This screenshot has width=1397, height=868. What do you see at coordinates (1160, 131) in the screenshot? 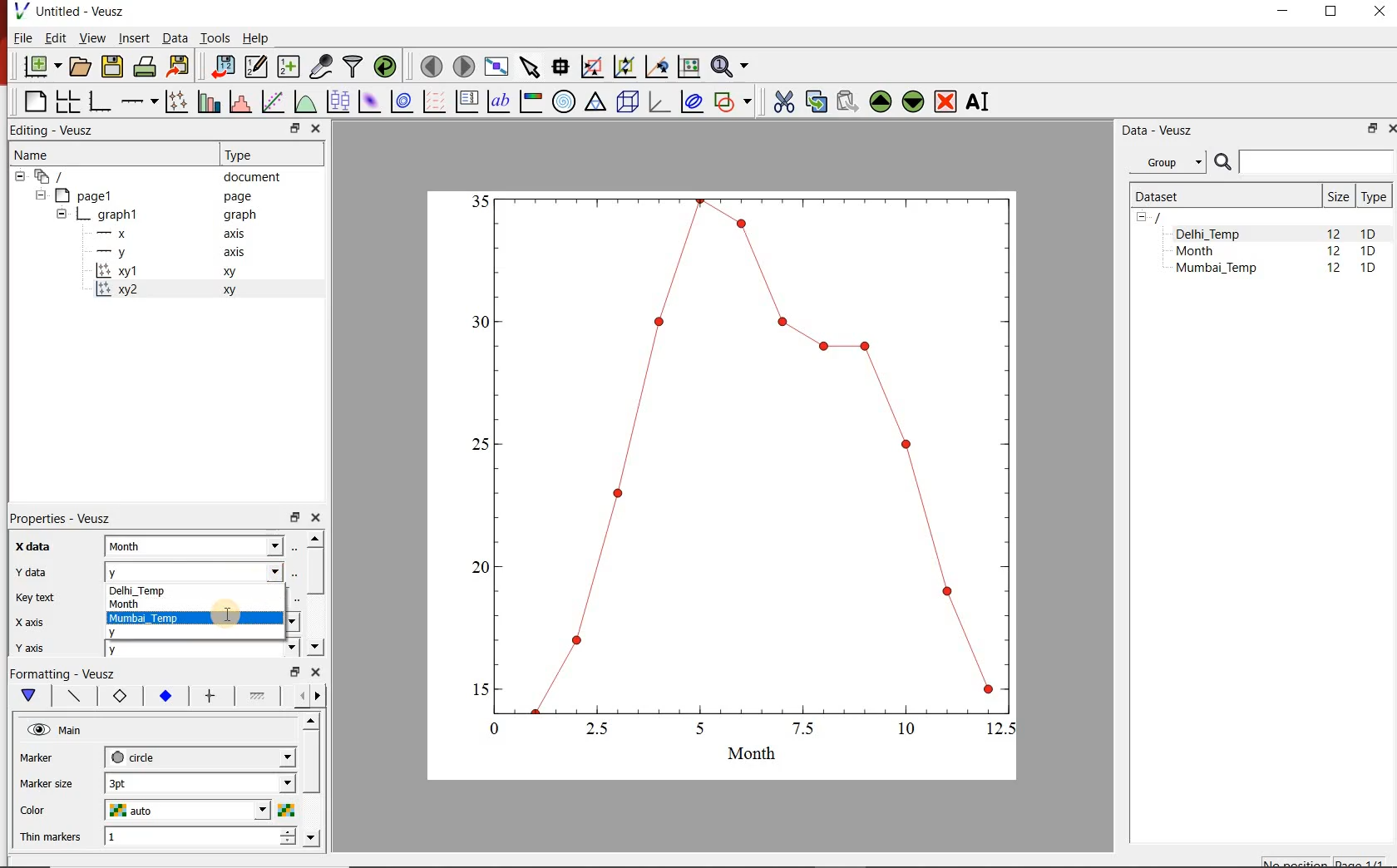
I see `Data - Veusz` at bounding box center [1160, 131].